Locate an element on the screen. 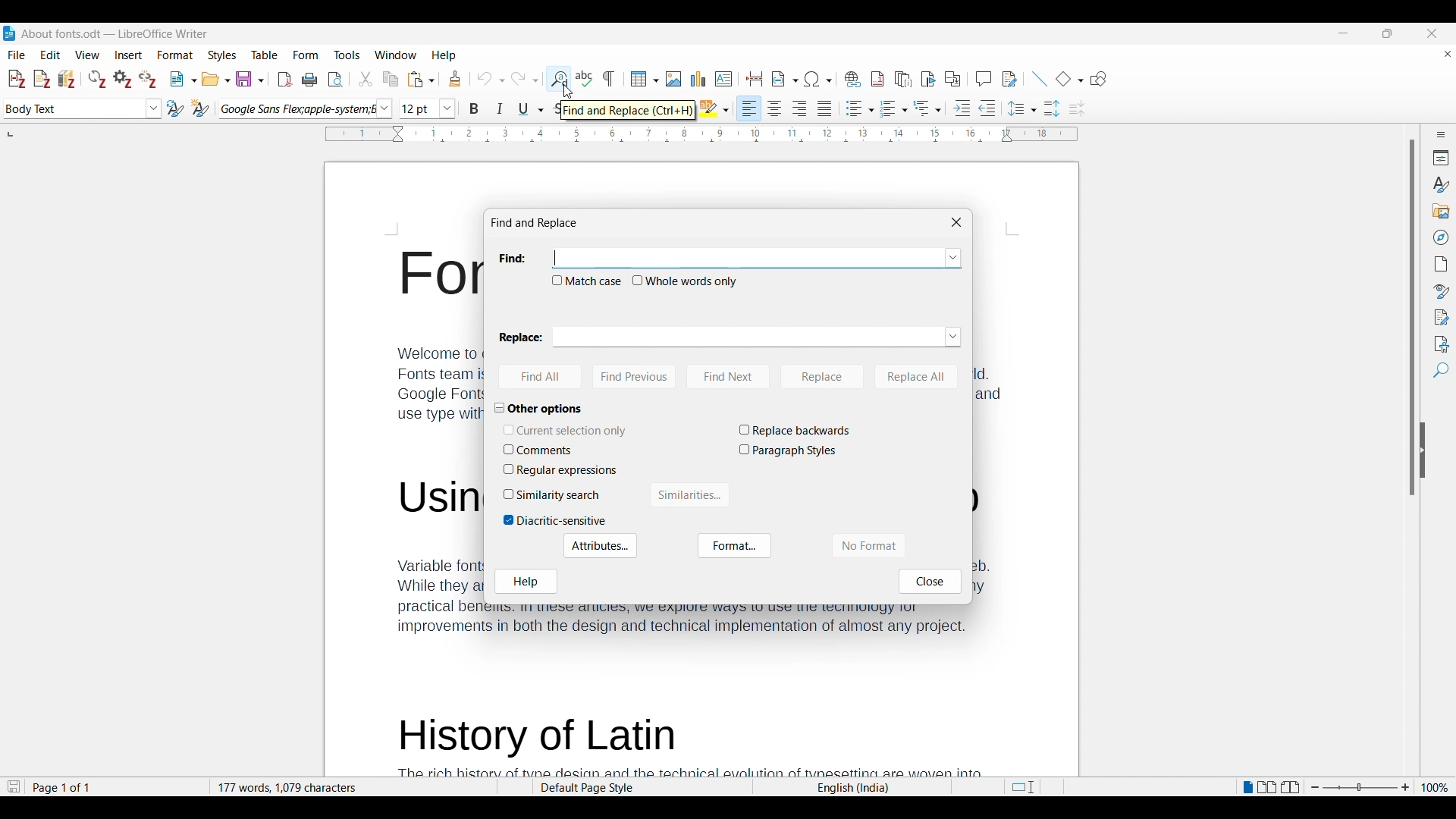  Toggle for match case is located at coordinates (587, 281).